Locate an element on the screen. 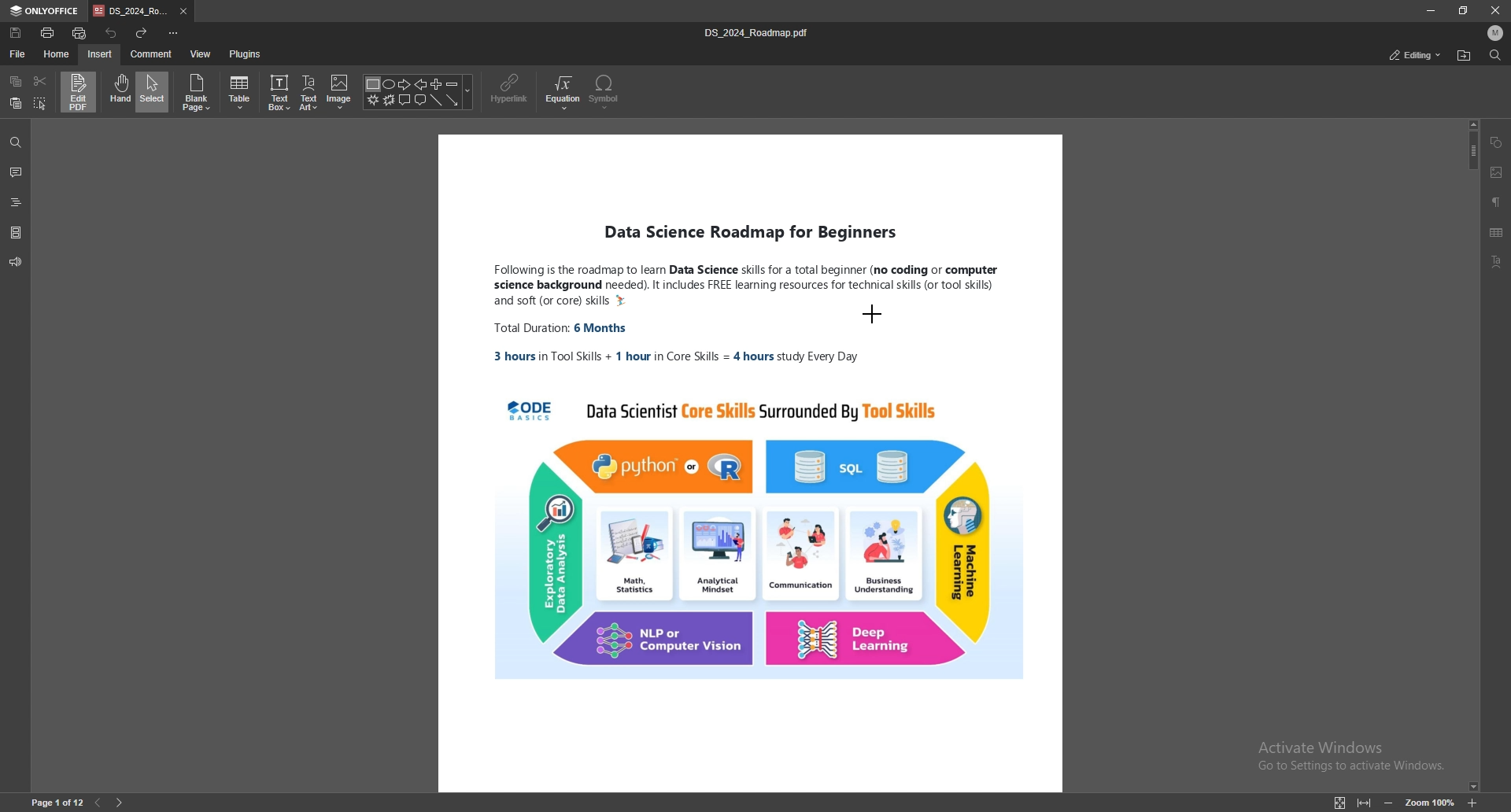 The image size is (1511, 812). hand is located at coordinates (119, 92).